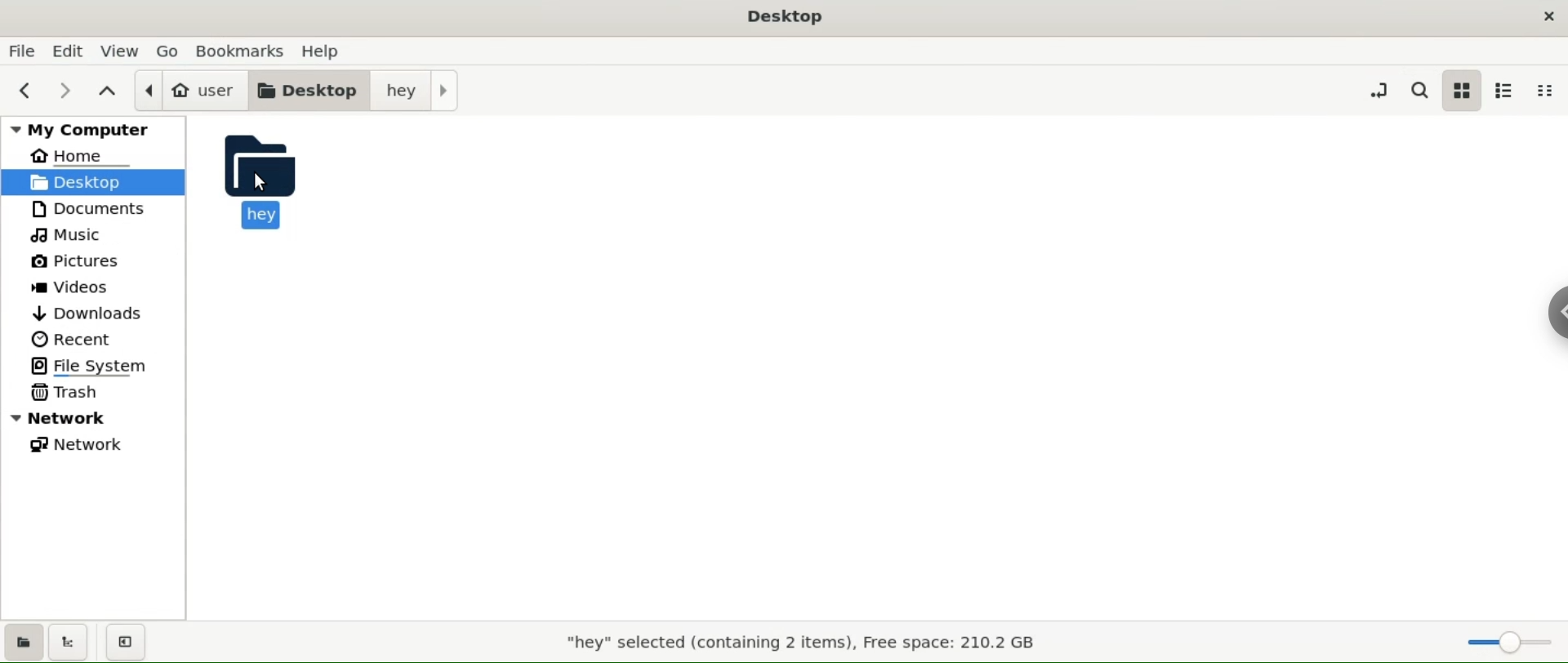  What do you see at coordinates (80, 444) in the screenshot?
I see `network` at bounding box center [80, 444].